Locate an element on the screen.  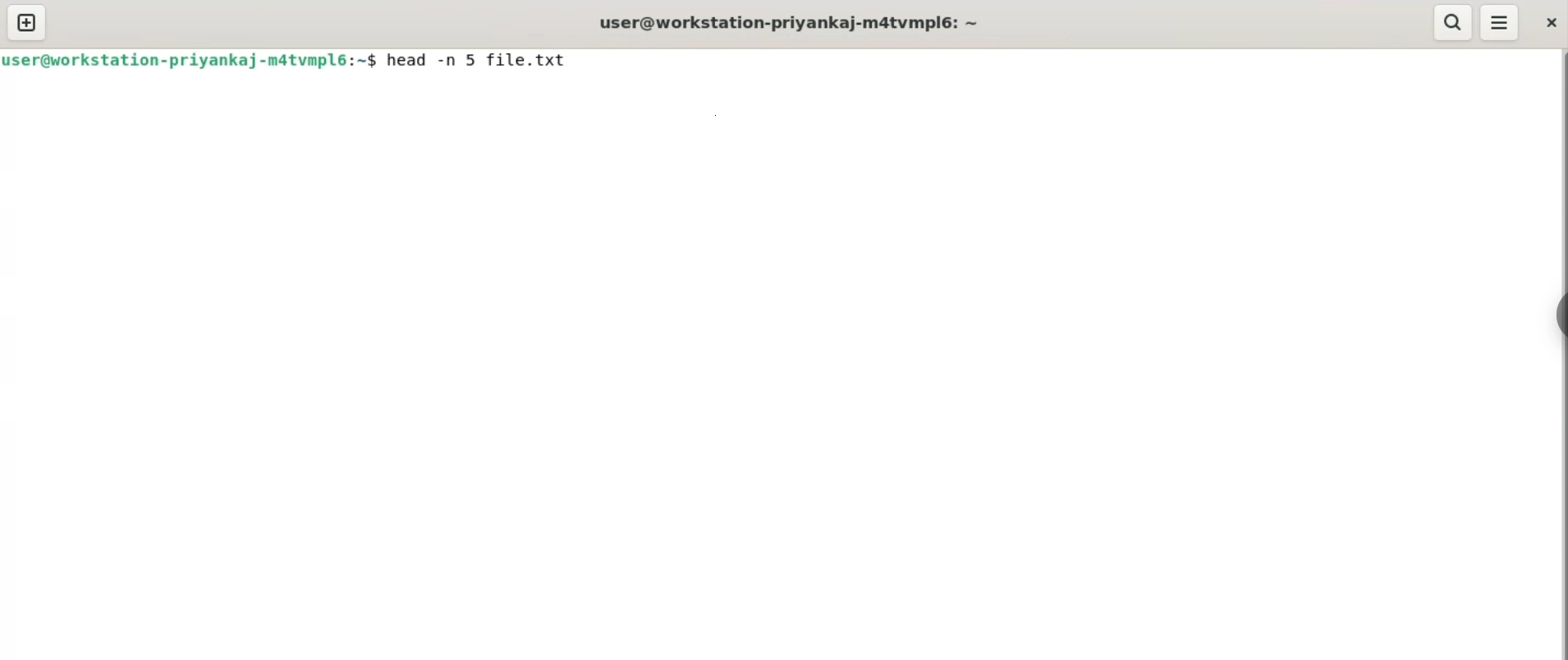
sidebar is located at coordinates (1560, 316).